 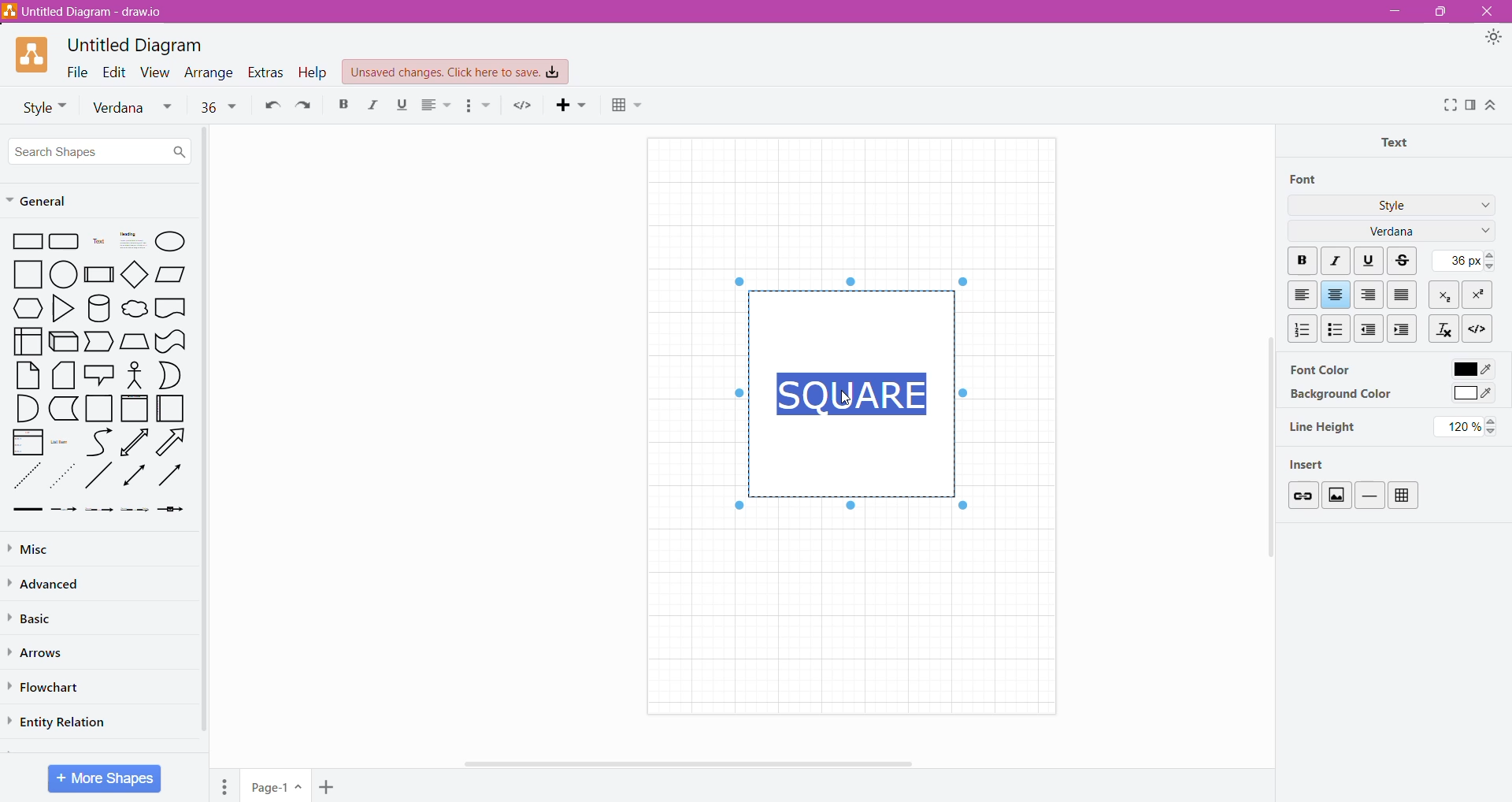 I want to click on Center, so click(x=1336, y=295).